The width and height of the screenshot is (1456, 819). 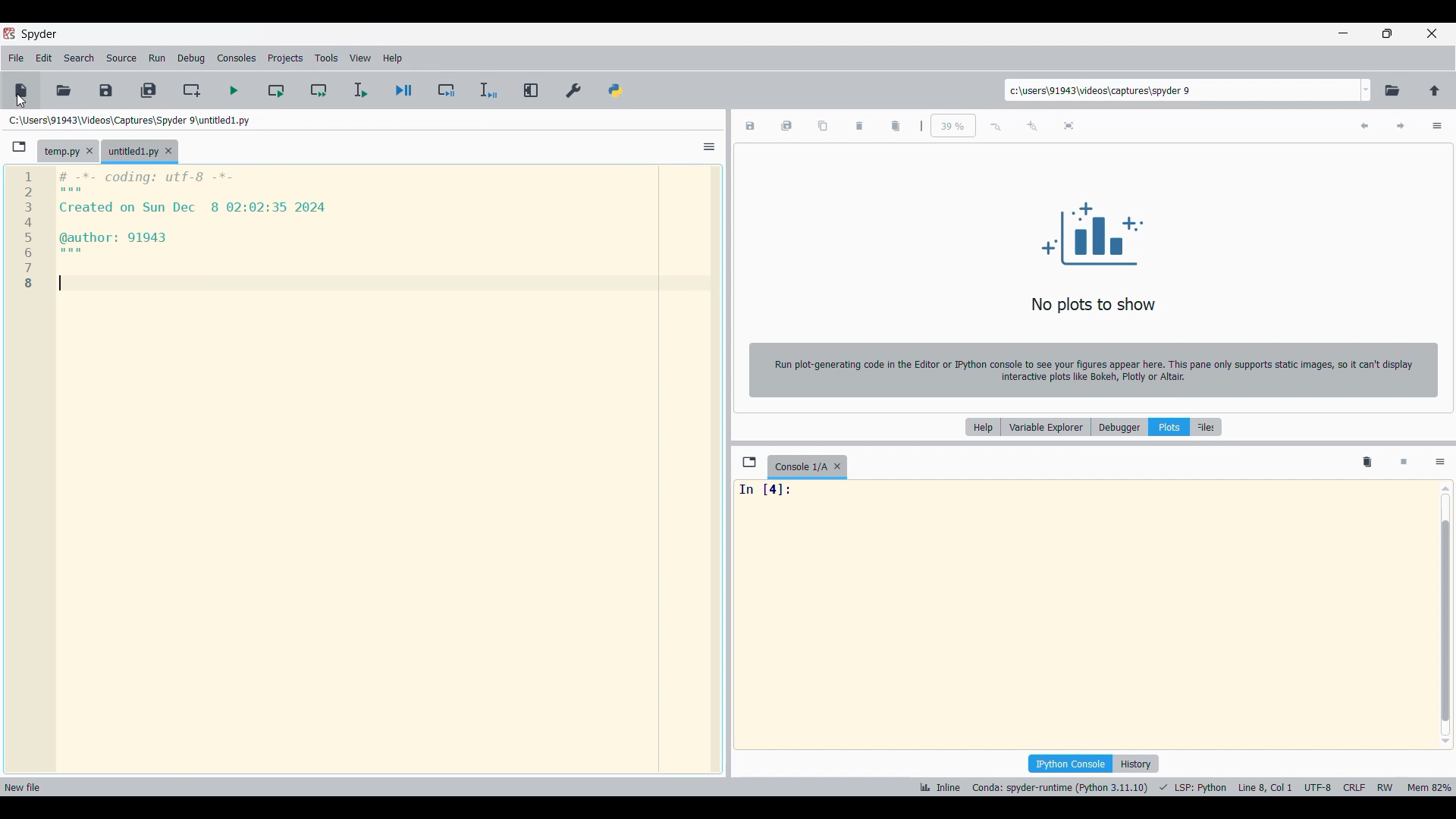 I want to click on View menu , so click(x=361, y=58).